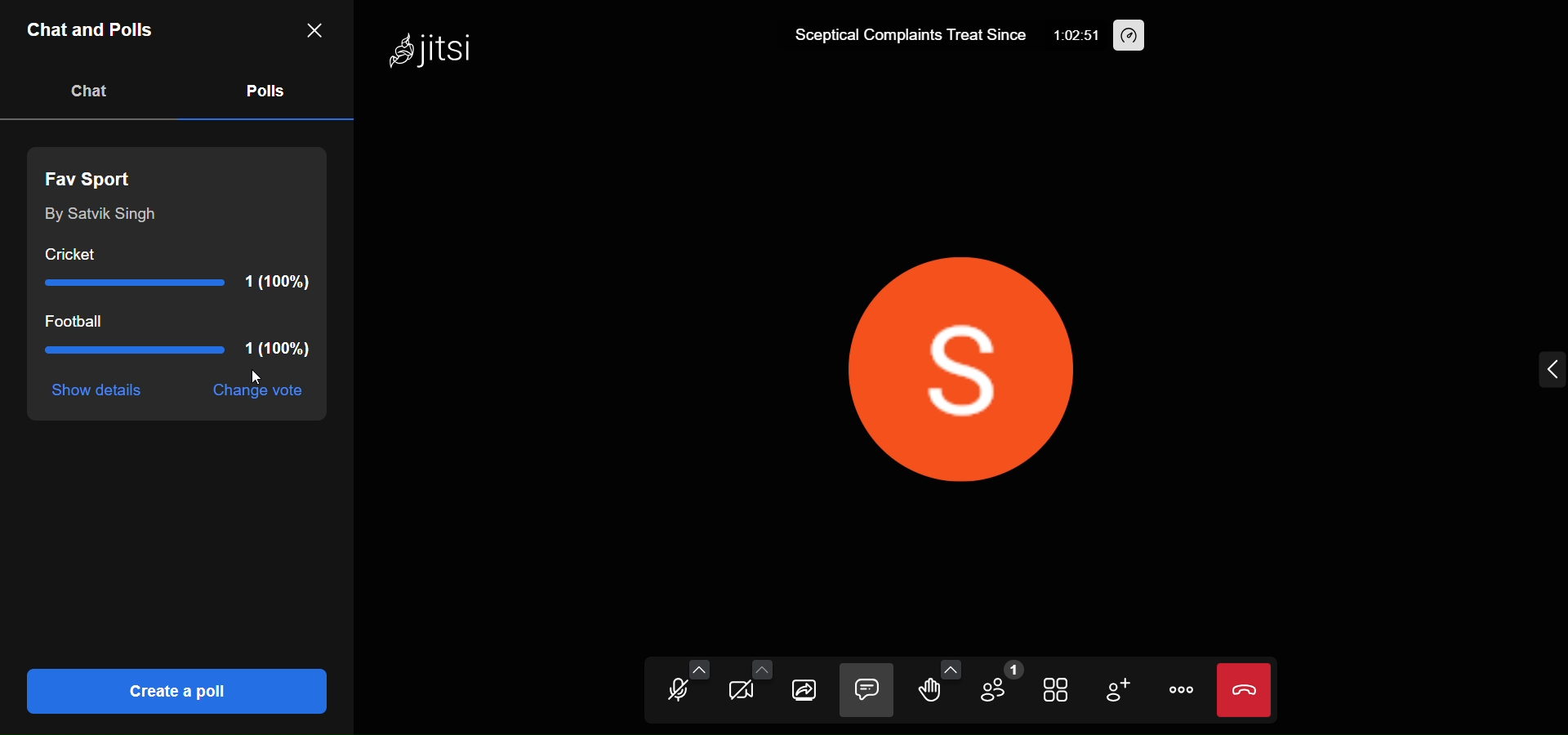  I want to click on Cricket, so click(189, 269).